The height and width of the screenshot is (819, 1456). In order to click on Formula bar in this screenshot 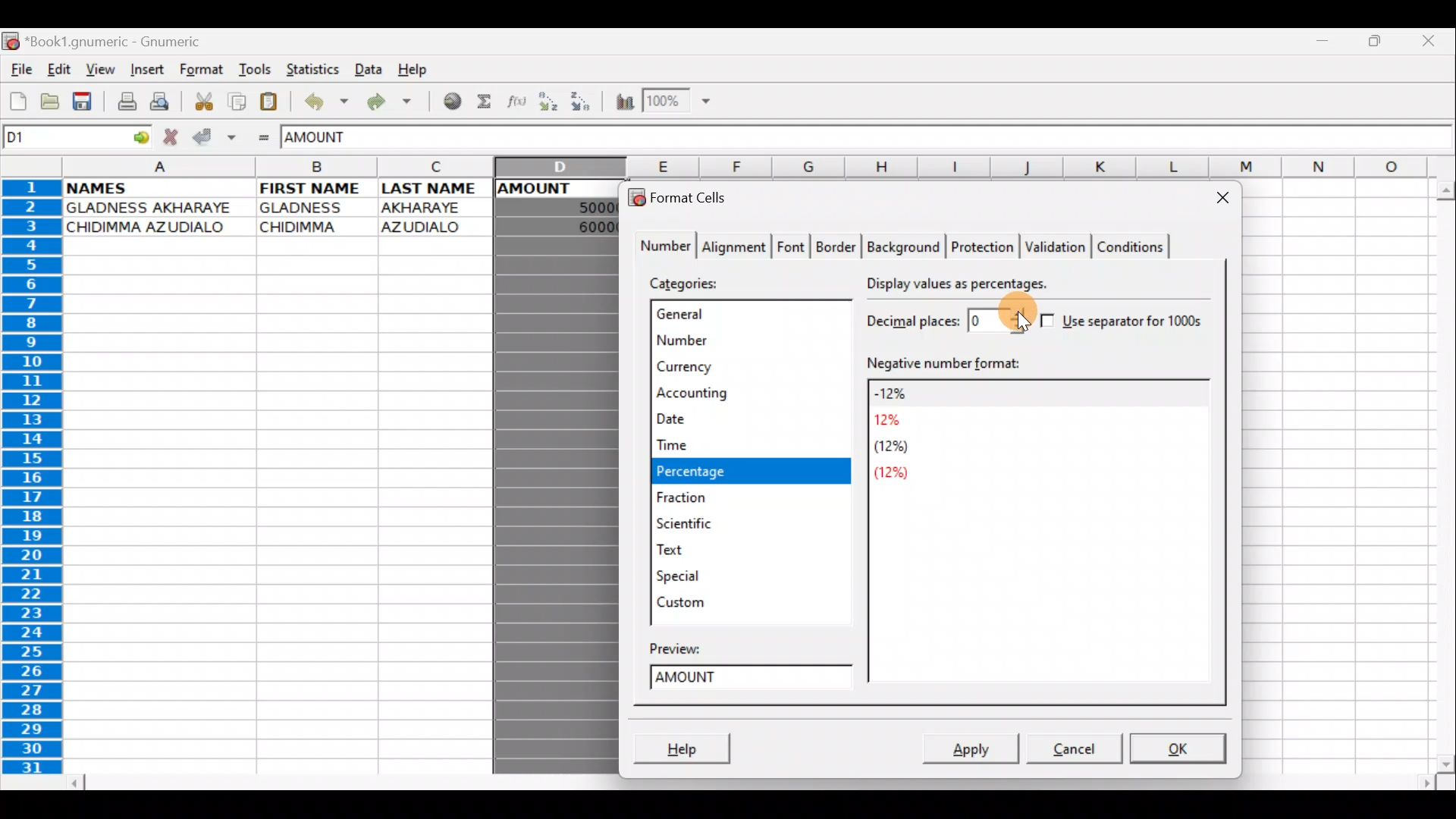, I will do `click(923, 137)`.